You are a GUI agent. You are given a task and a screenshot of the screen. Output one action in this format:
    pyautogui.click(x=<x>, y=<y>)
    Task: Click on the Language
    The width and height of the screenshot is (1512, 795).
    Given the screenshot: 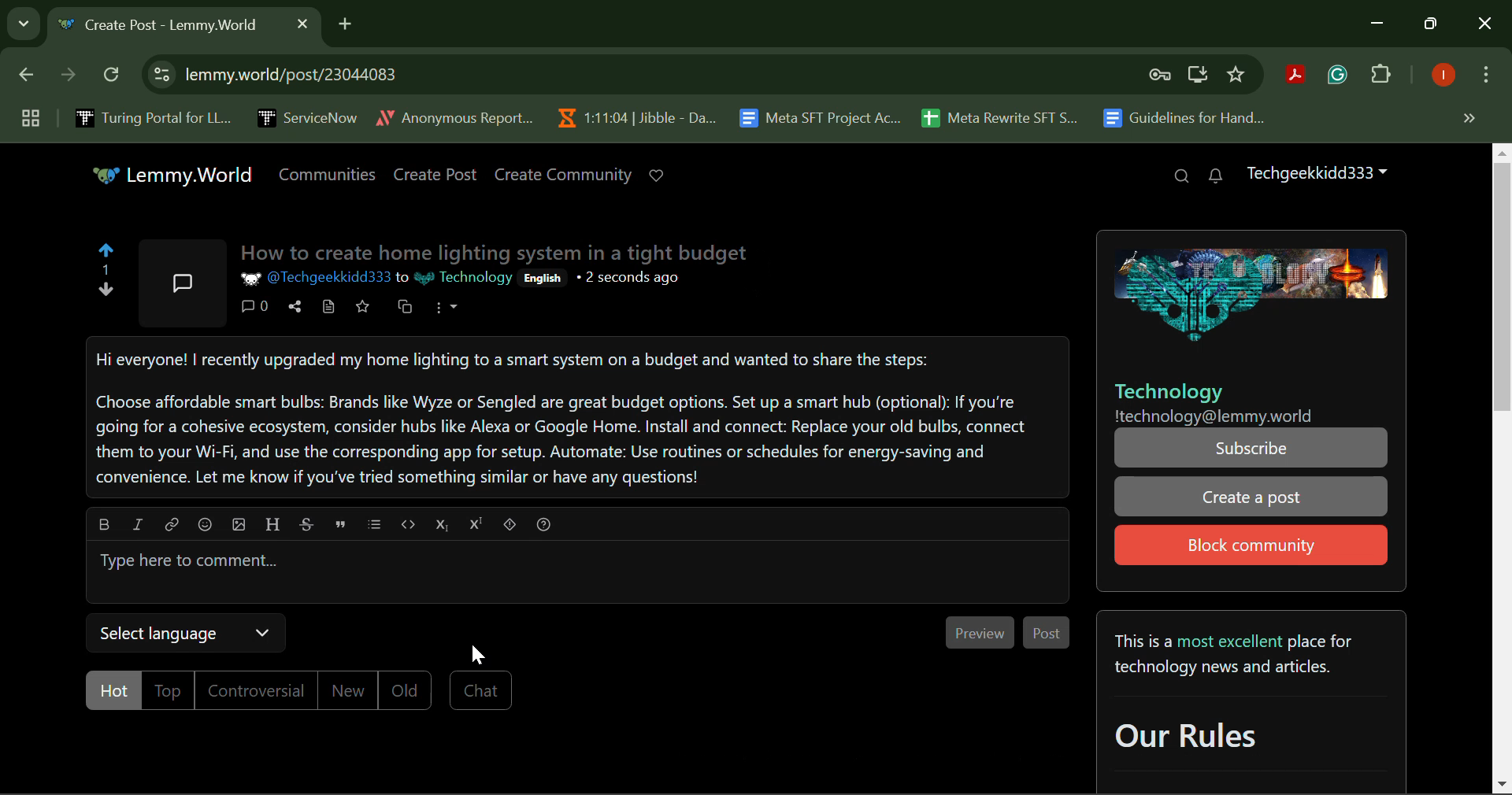 What is the action you would take?
    pyautogui.click(x=539, y=279)
    